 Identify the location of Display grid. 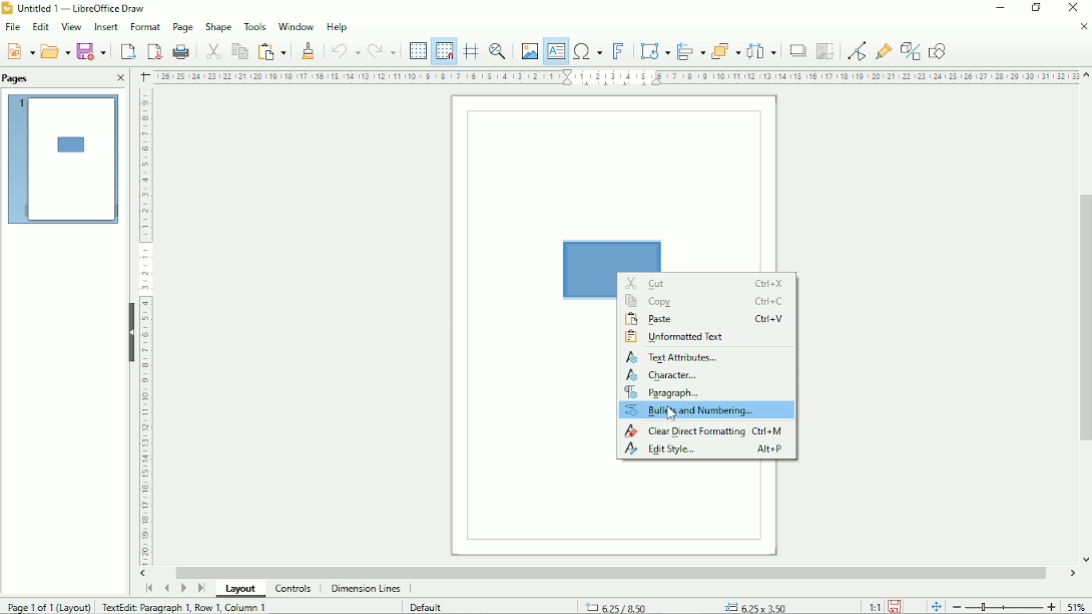
(417, 49).